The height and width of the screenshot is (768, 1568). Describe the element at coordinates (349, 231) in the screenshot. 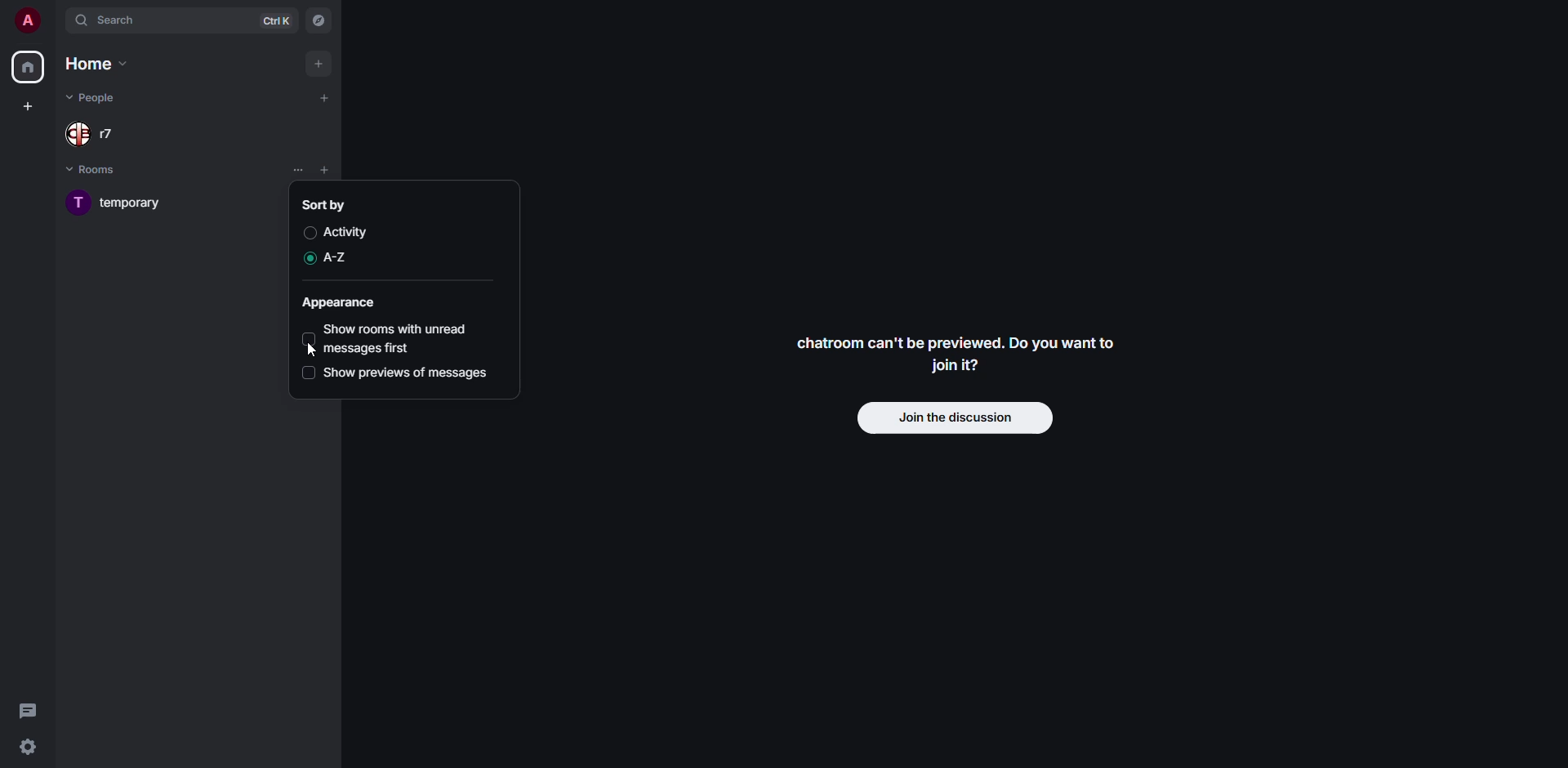

I see `activity` at that location.